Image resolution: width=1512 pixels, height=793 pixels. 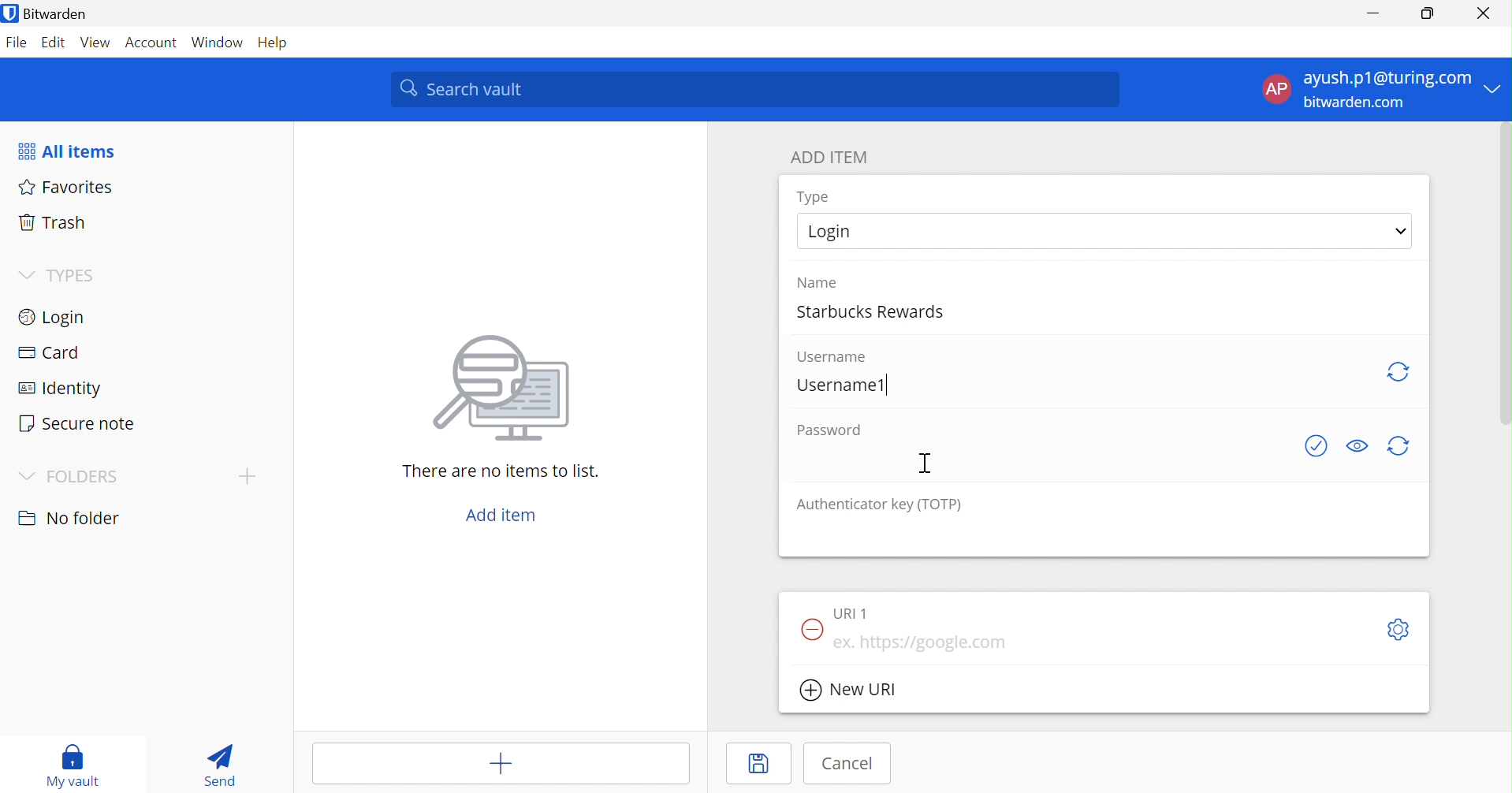 What do you see at coordinates (70, 520) in the screenshot?
I see `No folder` at bounding box center [70, 520].